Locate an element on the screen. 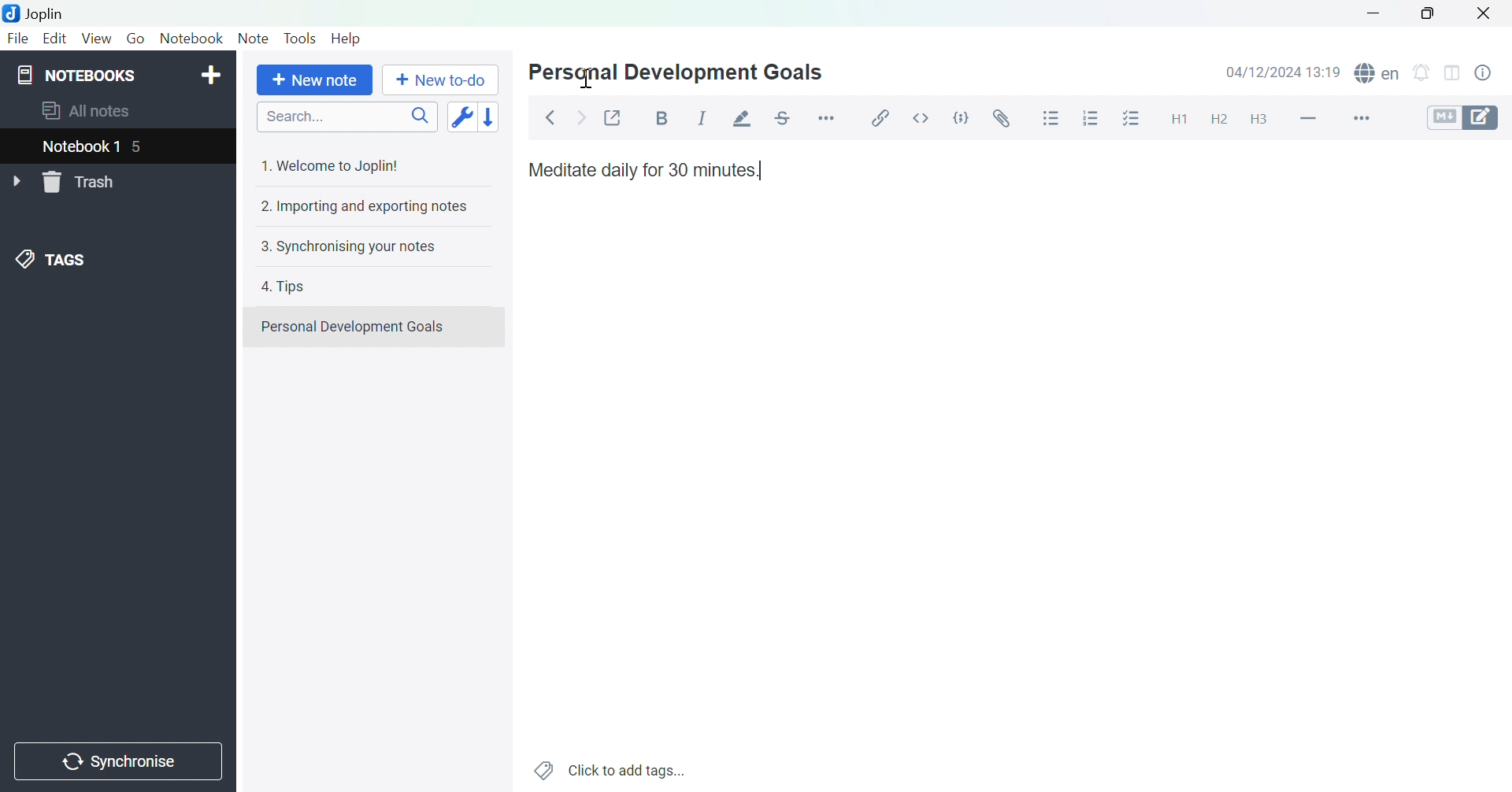 The height and width of the screenshot is (792, 1512). 3. Synchronising your notes is located at coordinates (353, 246).